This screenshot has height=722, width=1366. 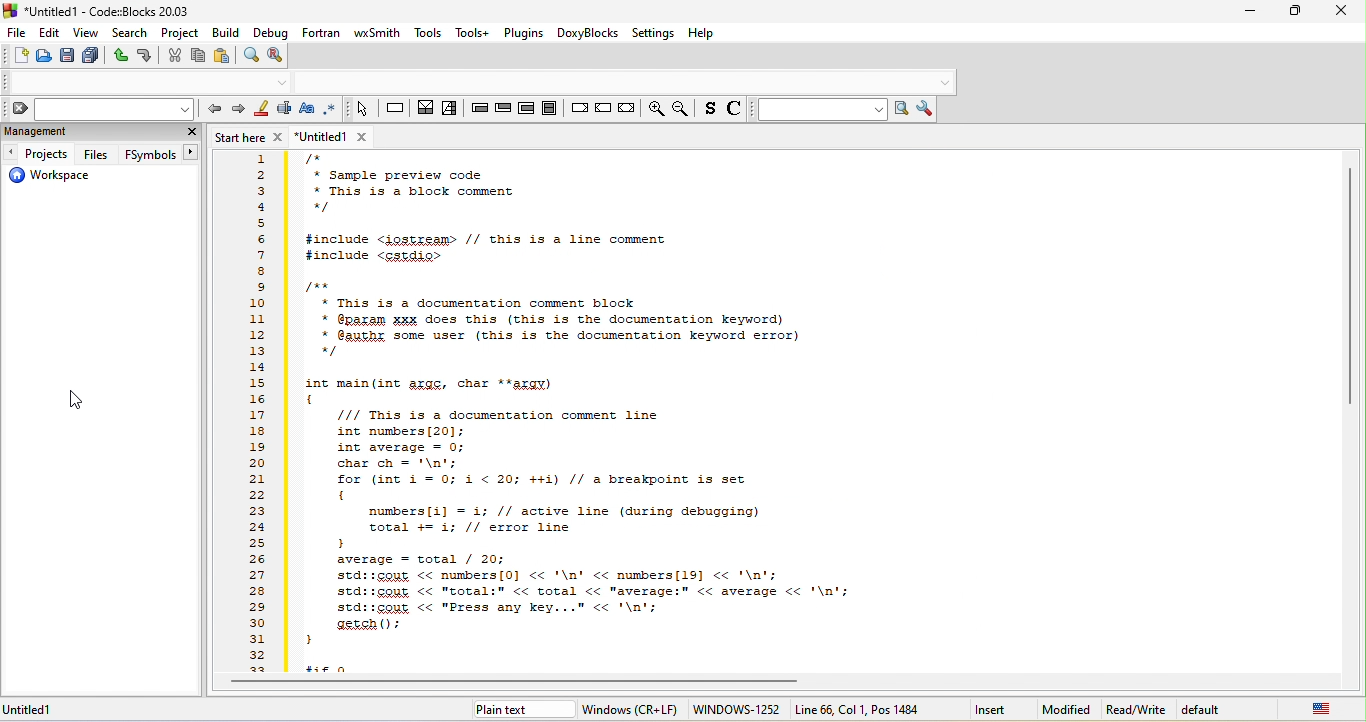 What do you see at coordinates (428, 33) in the screenshot?
I see `tools` at bounding box center [428, 33].